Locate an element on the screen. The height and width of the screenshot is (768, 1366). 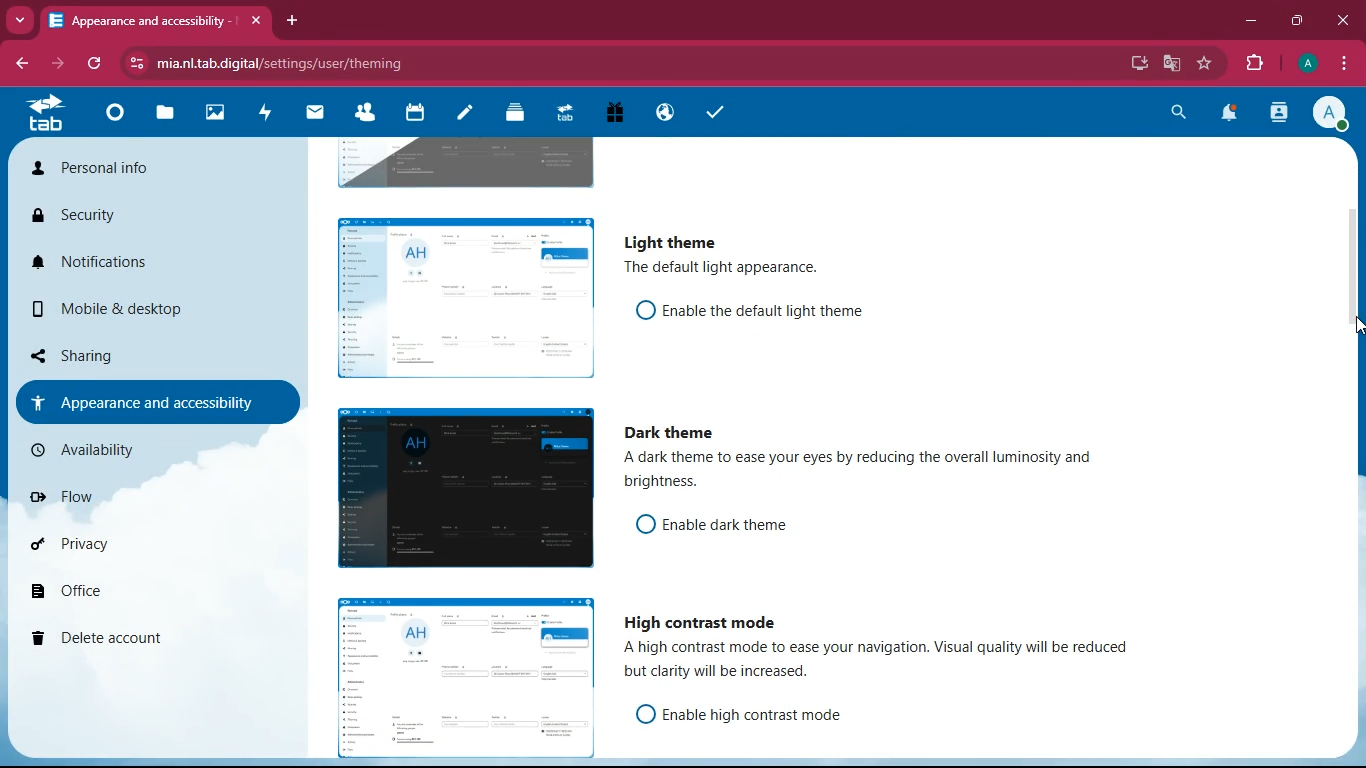
on/off button is located at coordinates (640, 523).